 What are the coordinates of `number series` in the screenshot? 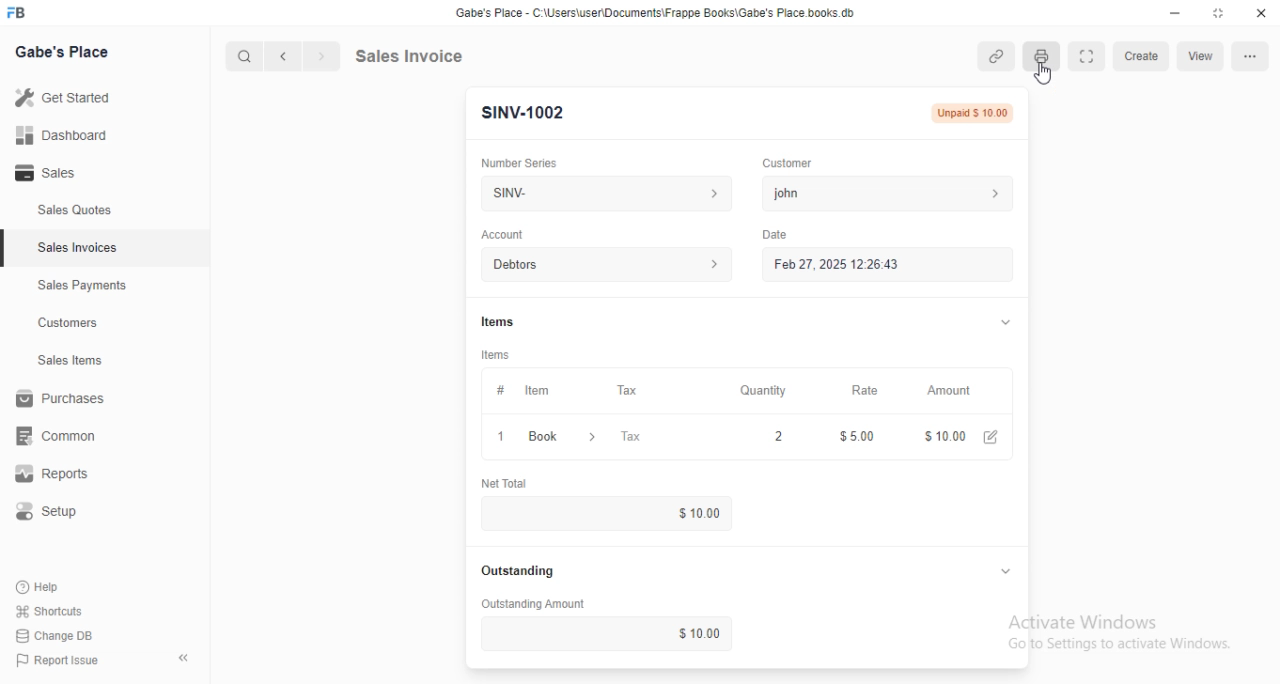 It's located at (519, 163).